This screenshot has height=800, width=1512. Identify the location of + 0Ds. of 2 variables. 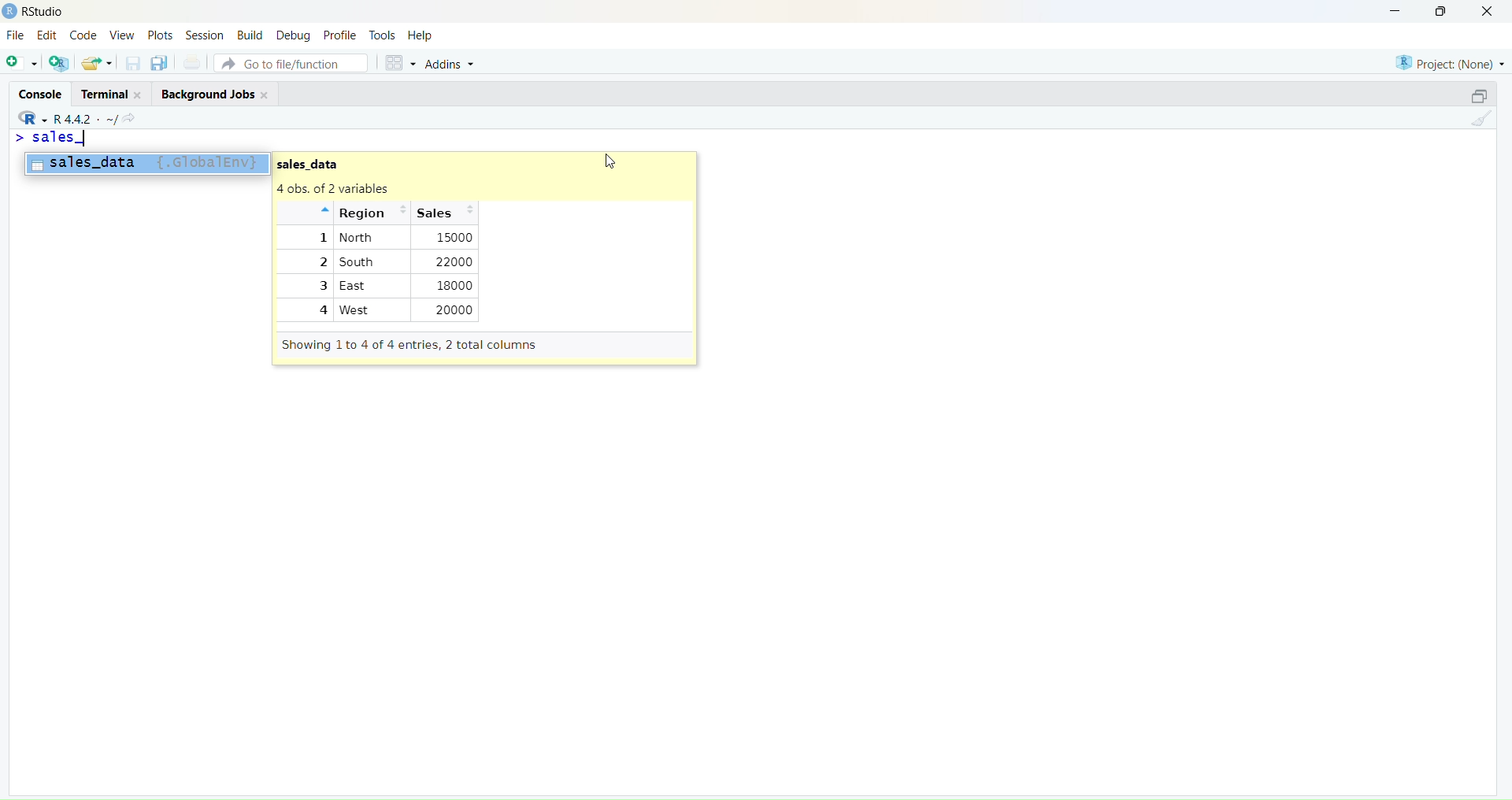
(366, 188).